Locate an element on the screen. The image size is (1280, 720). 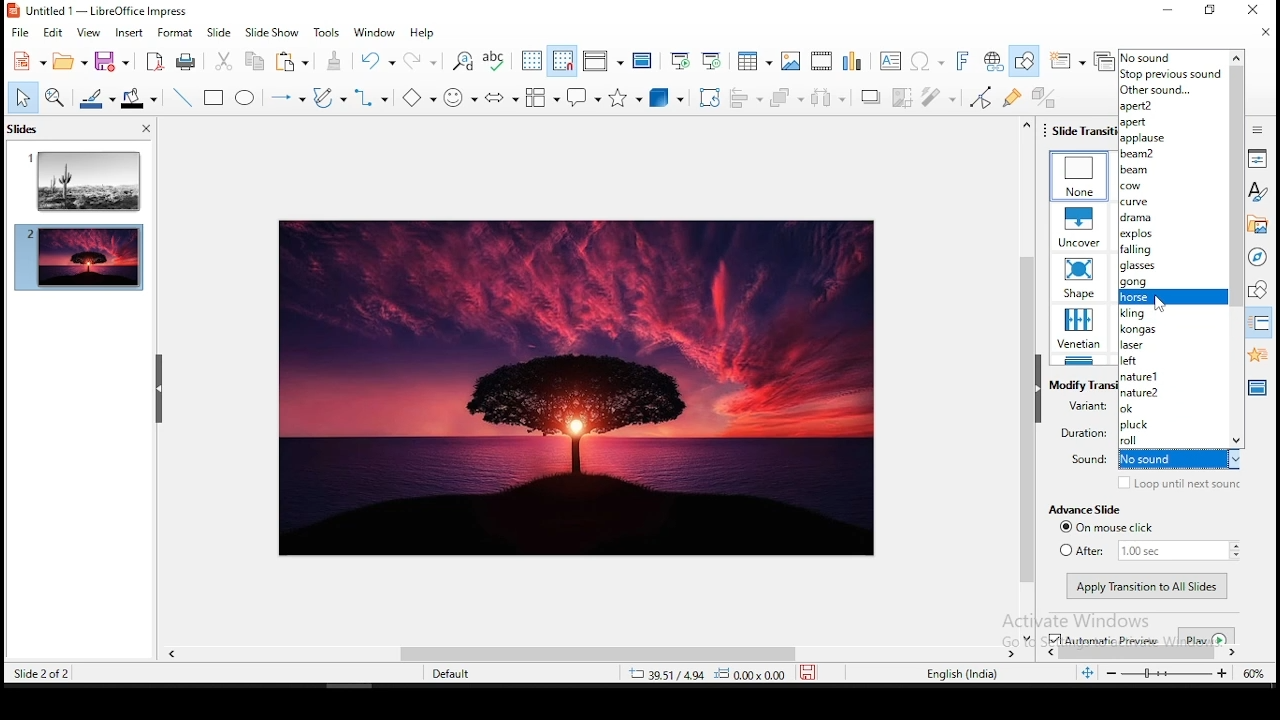
callout shapes is located at coordinates (583, 96).